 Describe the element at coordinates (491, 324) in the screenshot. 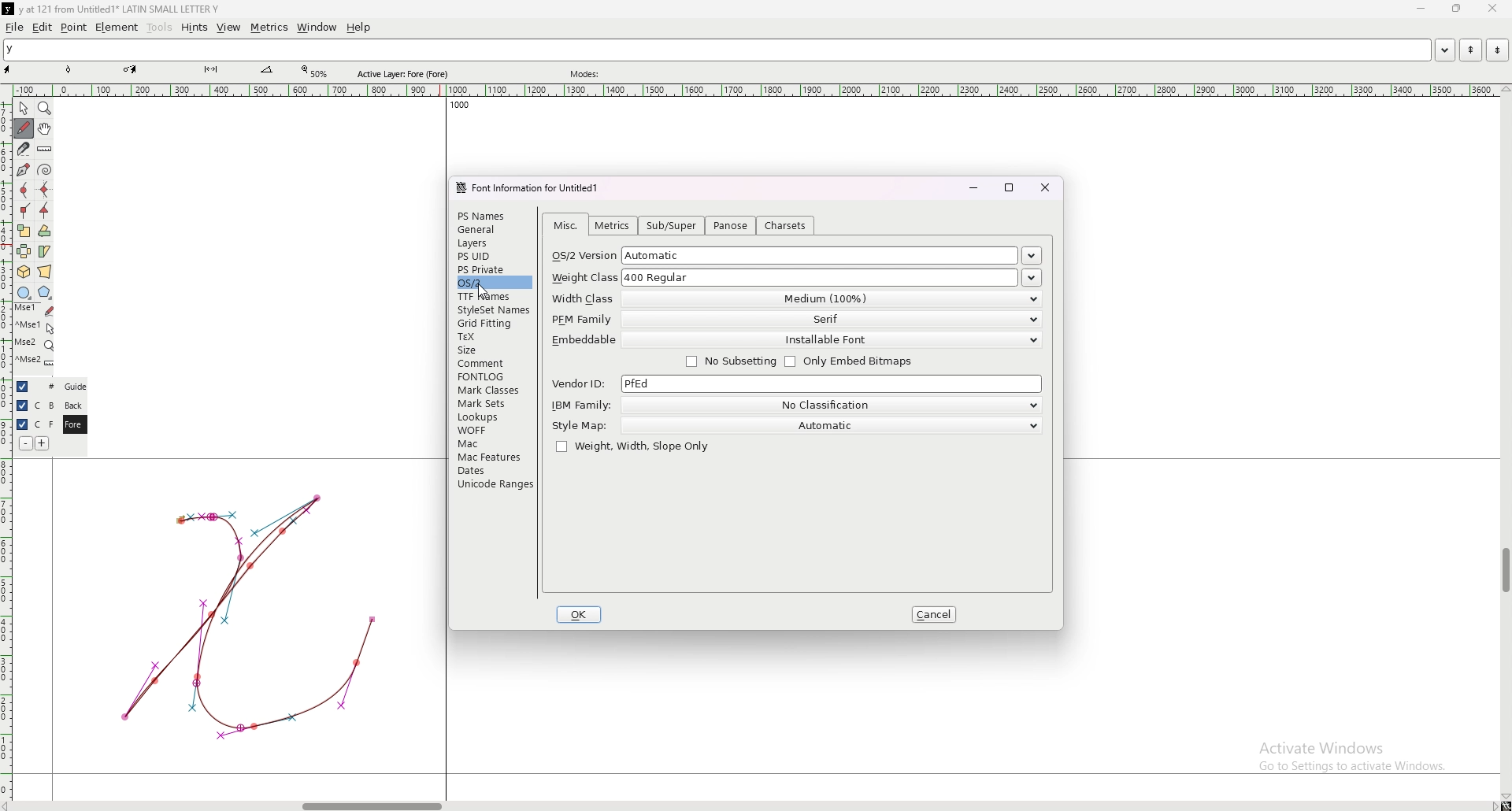

I see `grid fitting` at that location.